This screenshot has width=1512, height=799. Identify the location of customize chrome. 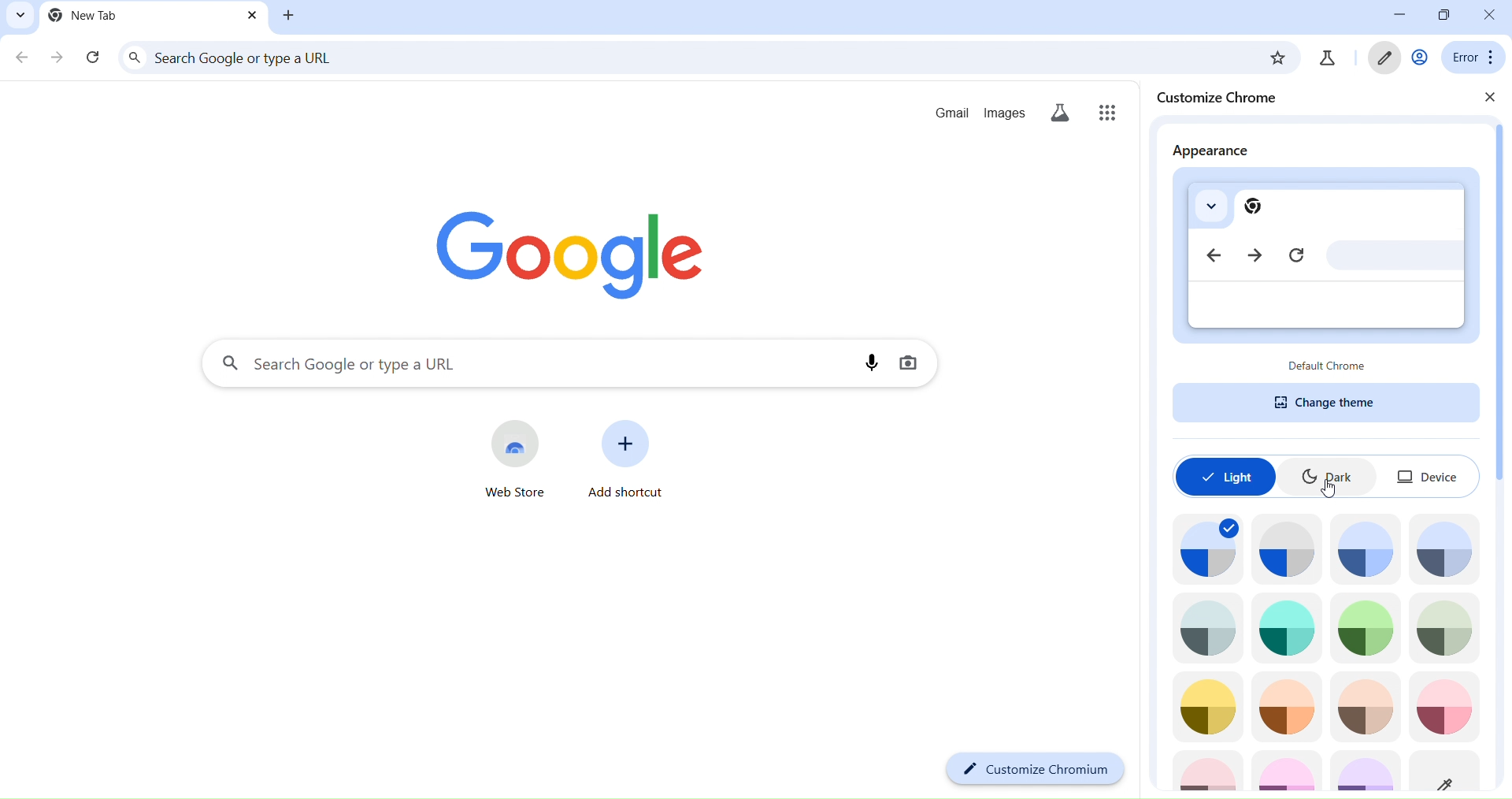
(1220, 98).